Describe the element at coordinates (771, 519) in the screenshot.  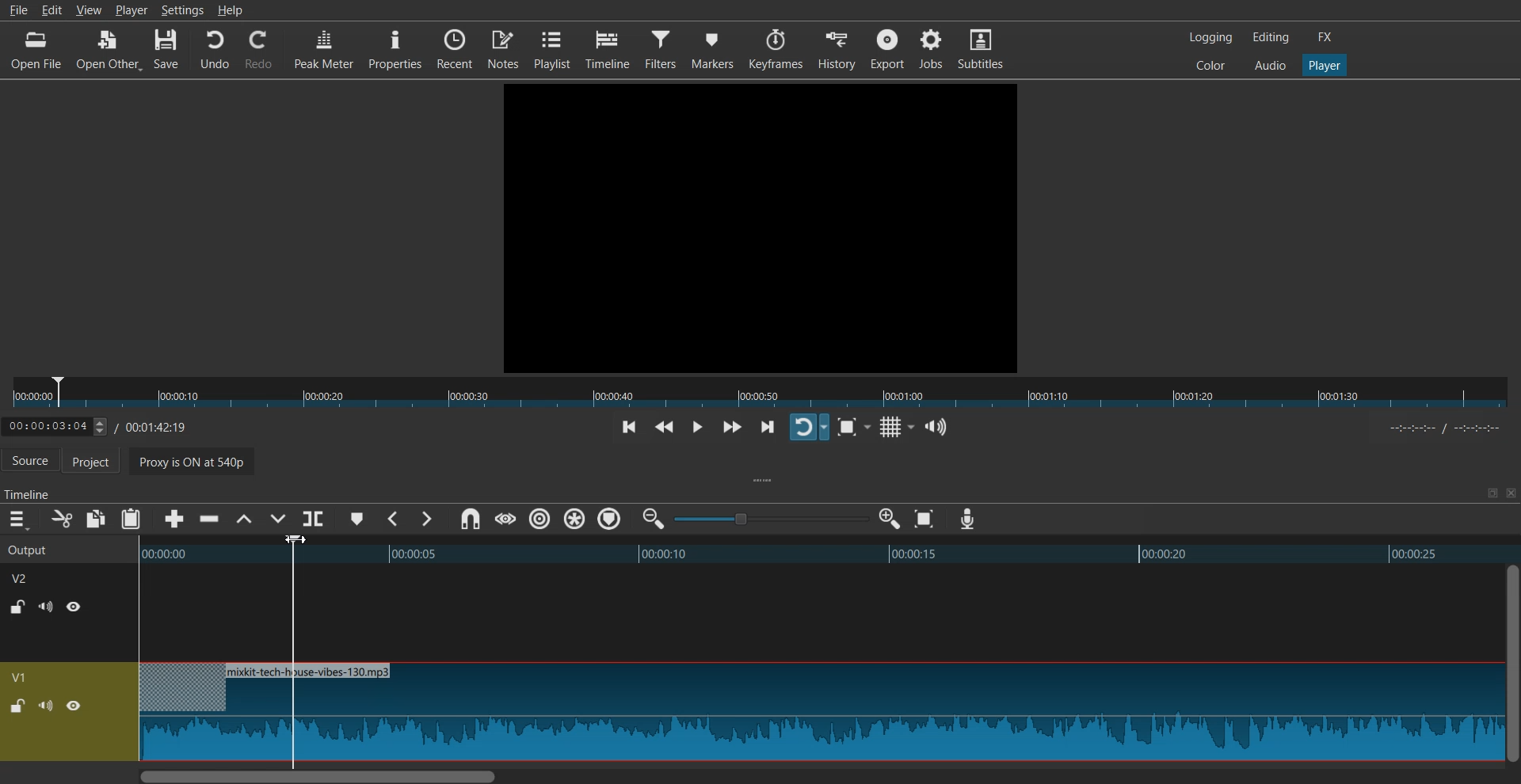
I see `Zoom adjuster toggle` at that location.